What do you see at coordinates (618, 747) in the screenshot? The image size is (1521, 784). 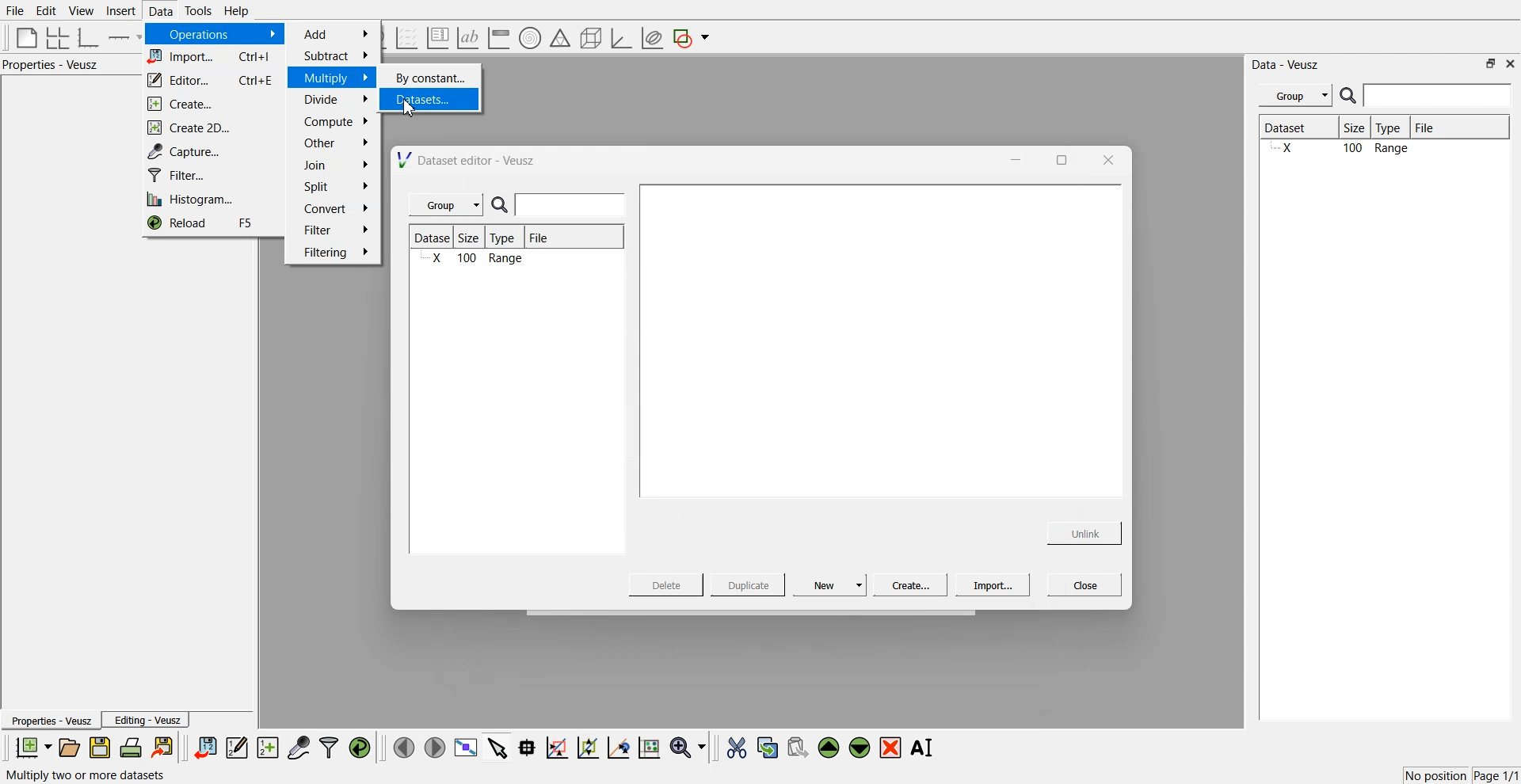 I see `recenter the graph axes` at bounding box center [618, 747].